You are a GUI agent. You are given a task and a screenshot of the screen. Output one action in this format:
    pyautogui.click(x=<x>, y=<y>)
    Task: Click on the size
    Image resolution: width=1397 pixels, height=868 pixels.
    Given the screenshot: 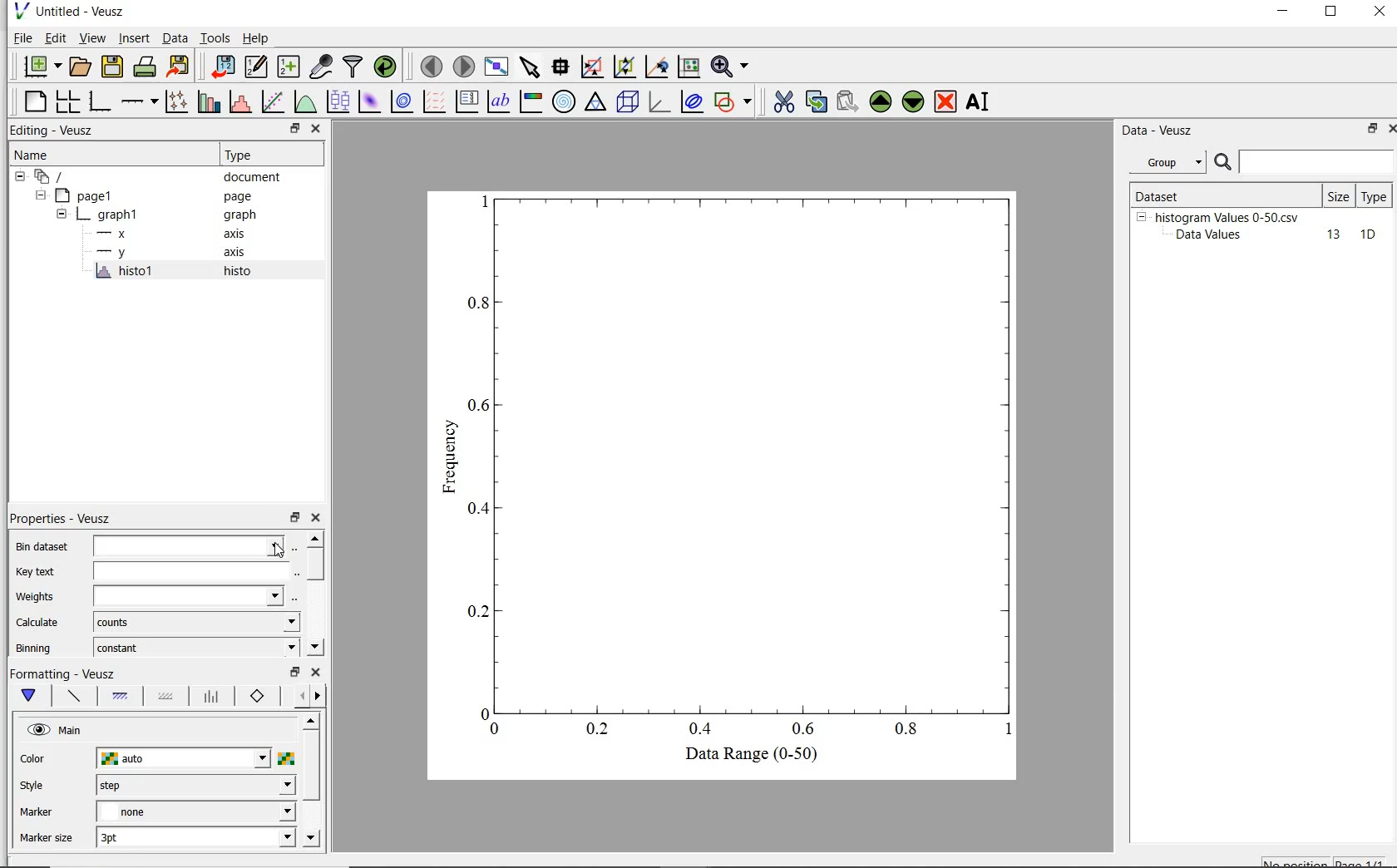 What is the action you would take?
    pyautogui.click(x=1338, y=196)
    